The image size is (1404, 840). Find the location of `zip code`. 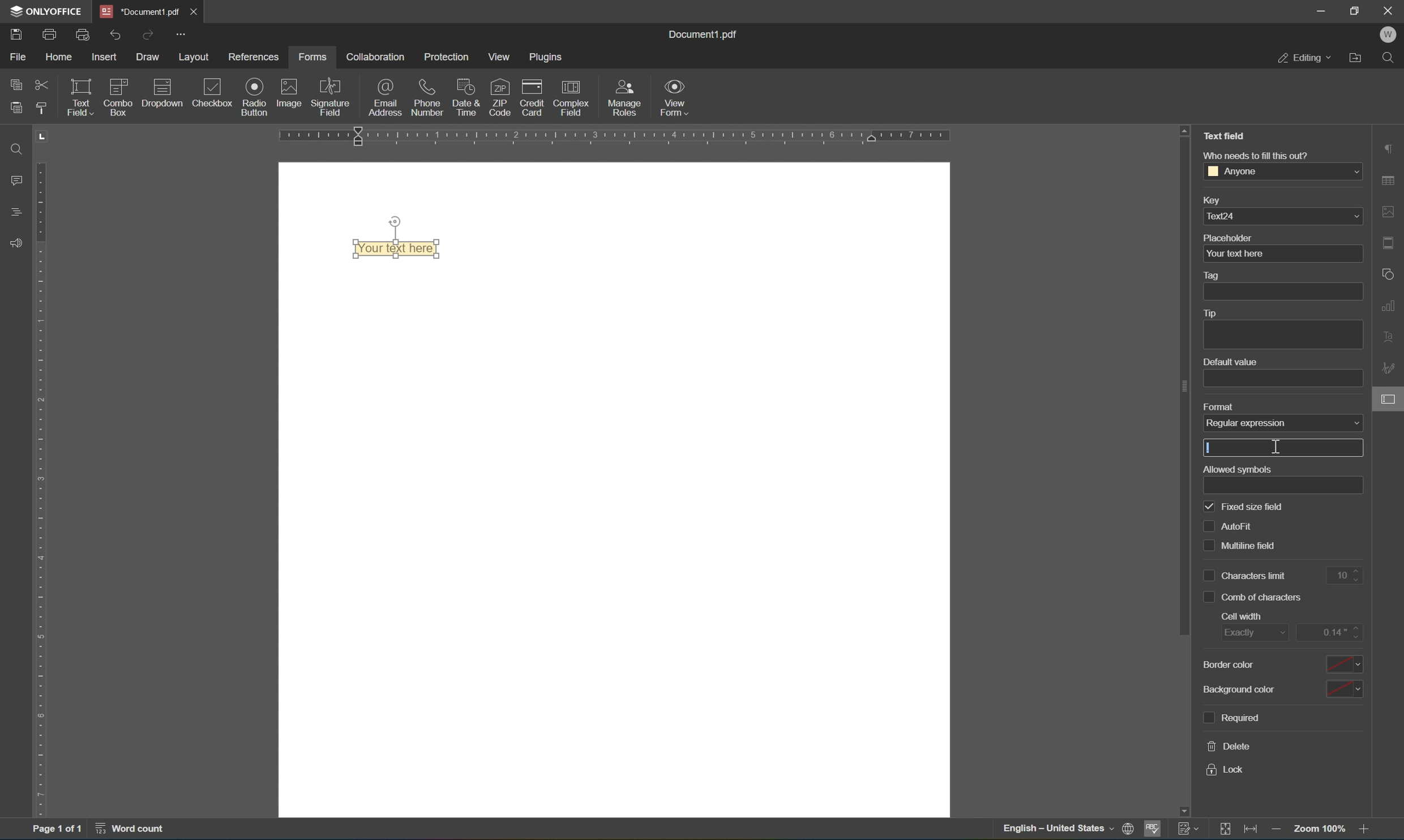

zip code is located at coordinates (500, 97).